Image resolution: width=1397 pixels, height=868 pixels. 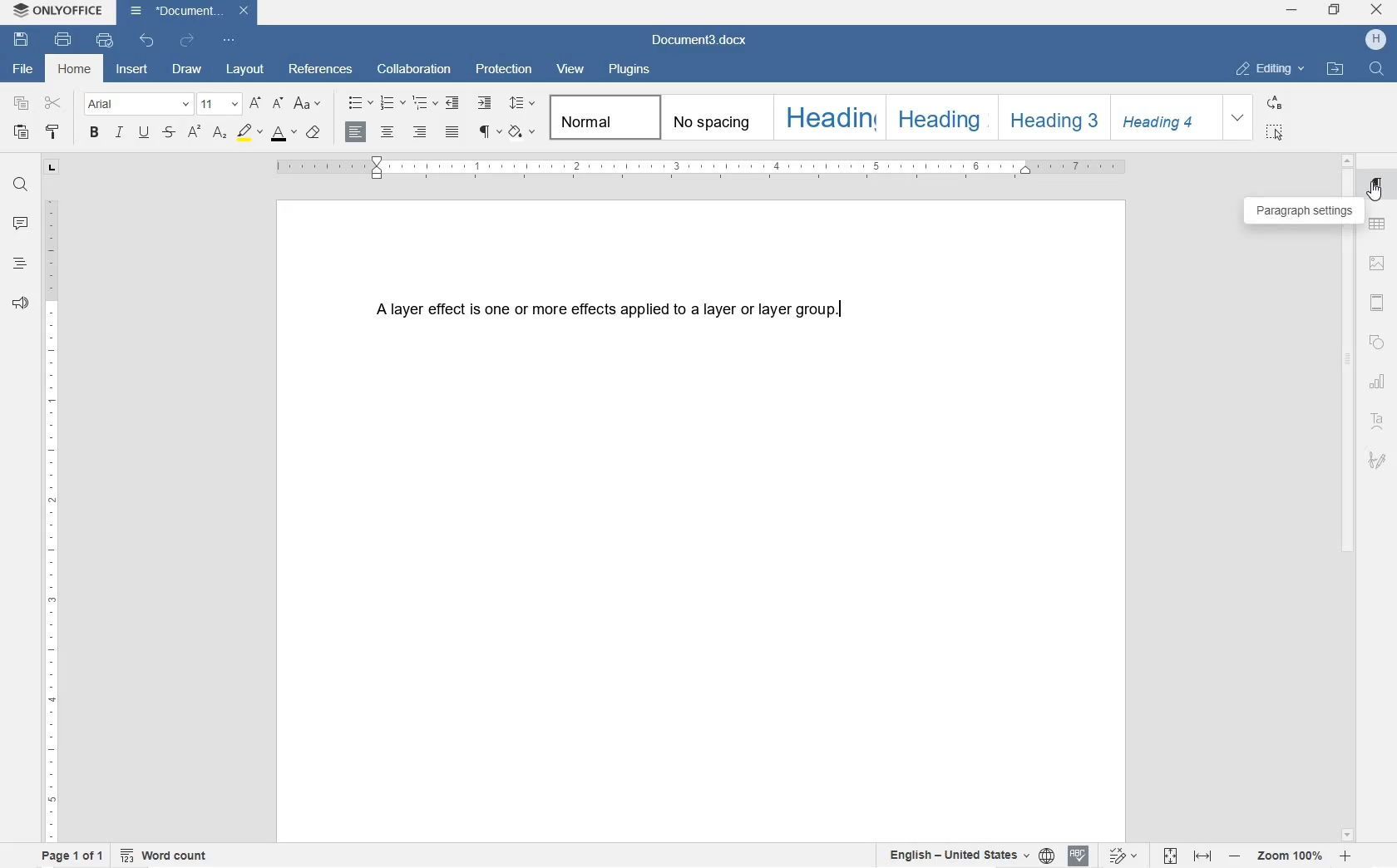 What do you see at coordinates (425, 103) in the screenshot?
I see `MULTILEVEL LISTS` at bounding box center [425, 103].